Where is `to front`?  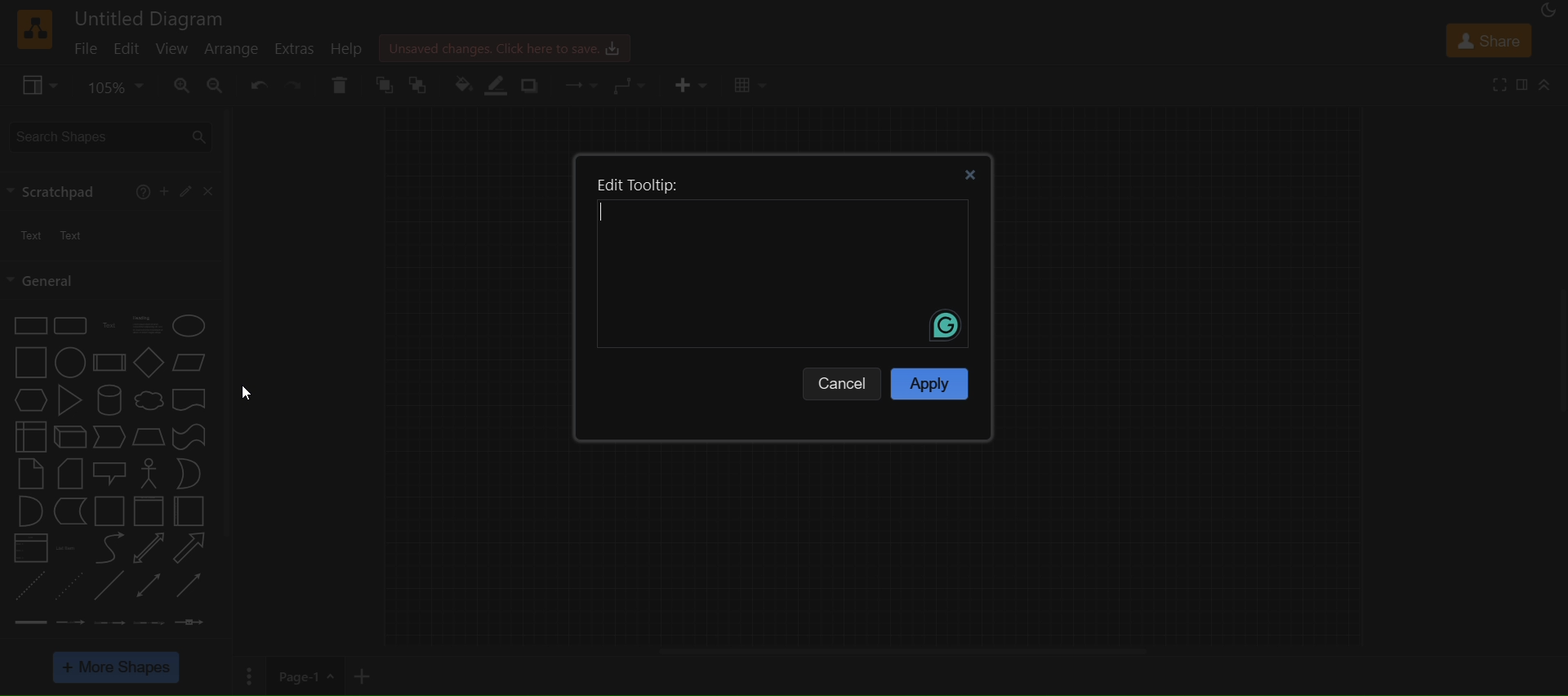
to front is located at coordinates (383, 84).